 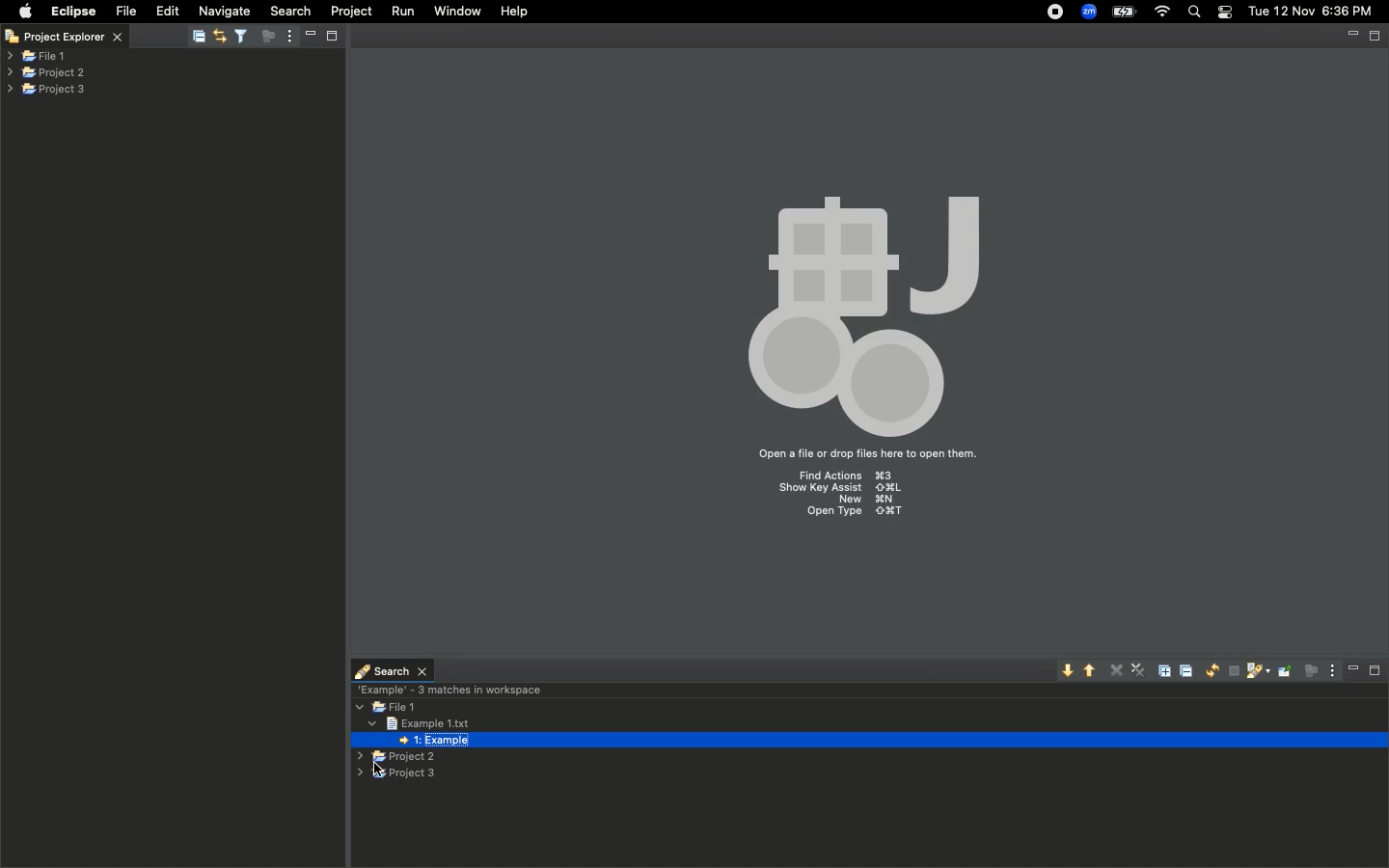 I want to click on Collapse all, so click(x=199, y=38).